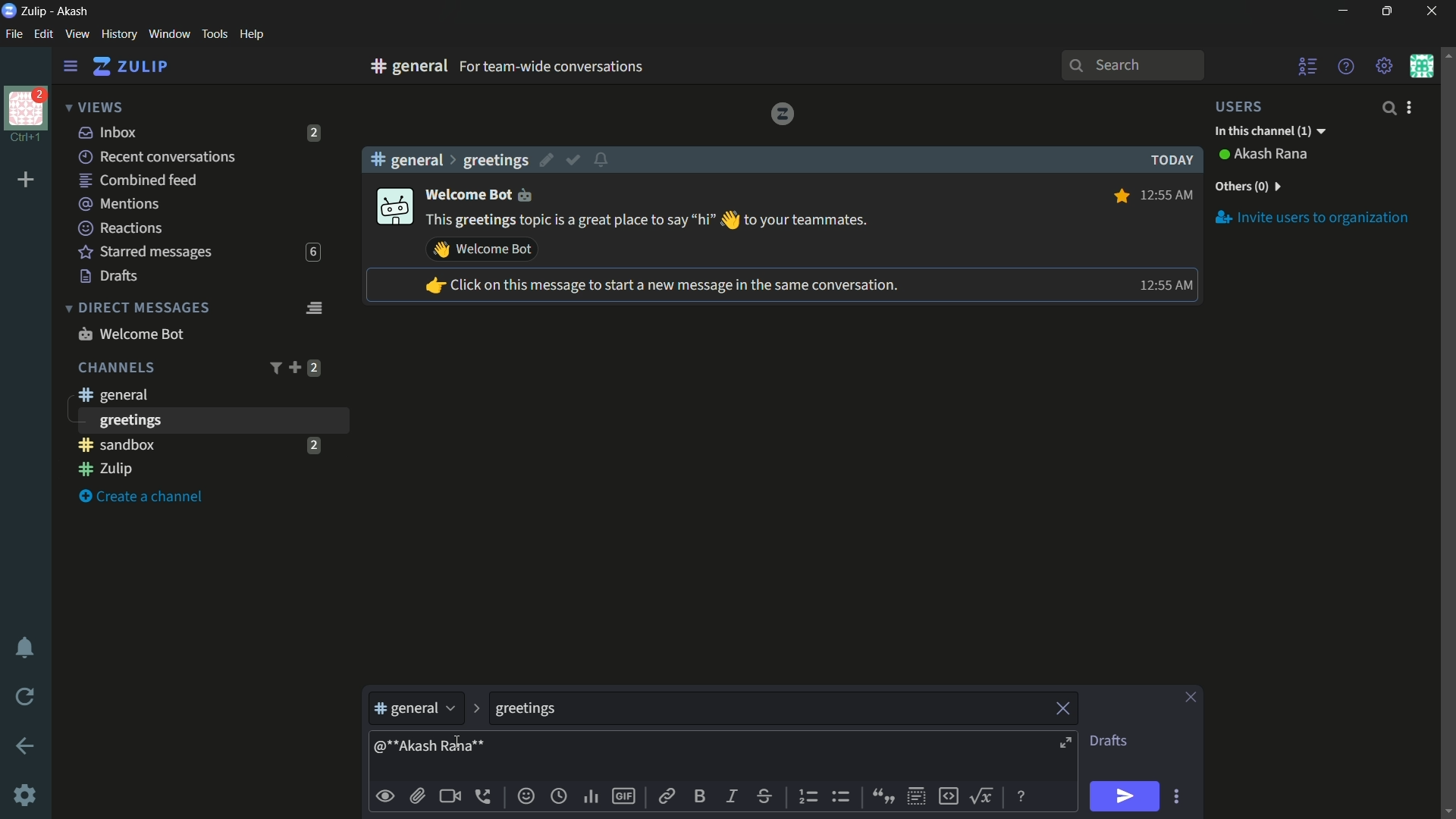  What do you see at coordinates (1429, 11) in the screenshot?
I see `close app` at bounding box center [1429, 11].